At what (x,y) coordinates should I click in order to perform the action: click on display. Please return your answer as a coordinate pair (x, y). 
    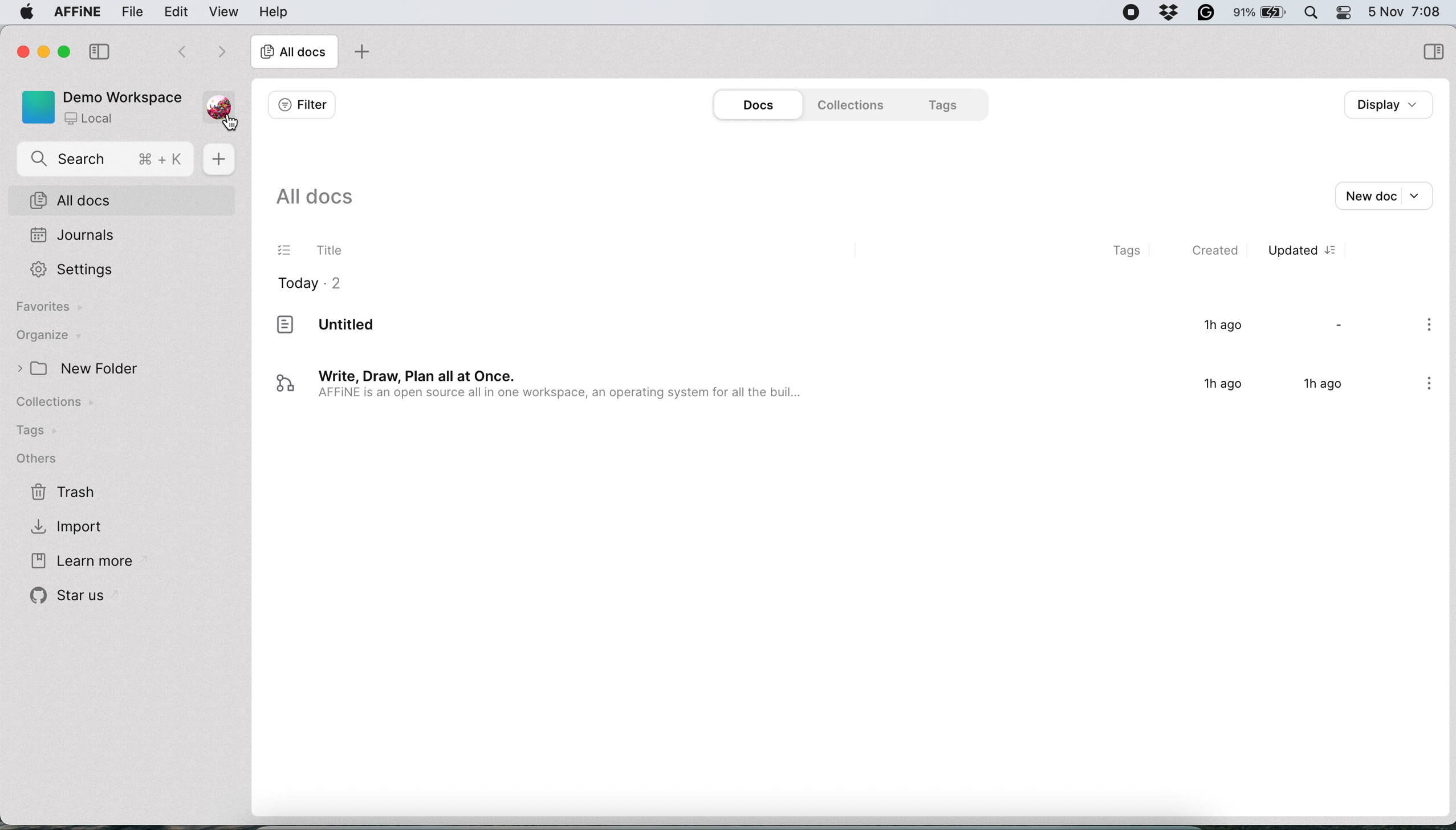
    Looking at the image, I should click on (1384, 104).